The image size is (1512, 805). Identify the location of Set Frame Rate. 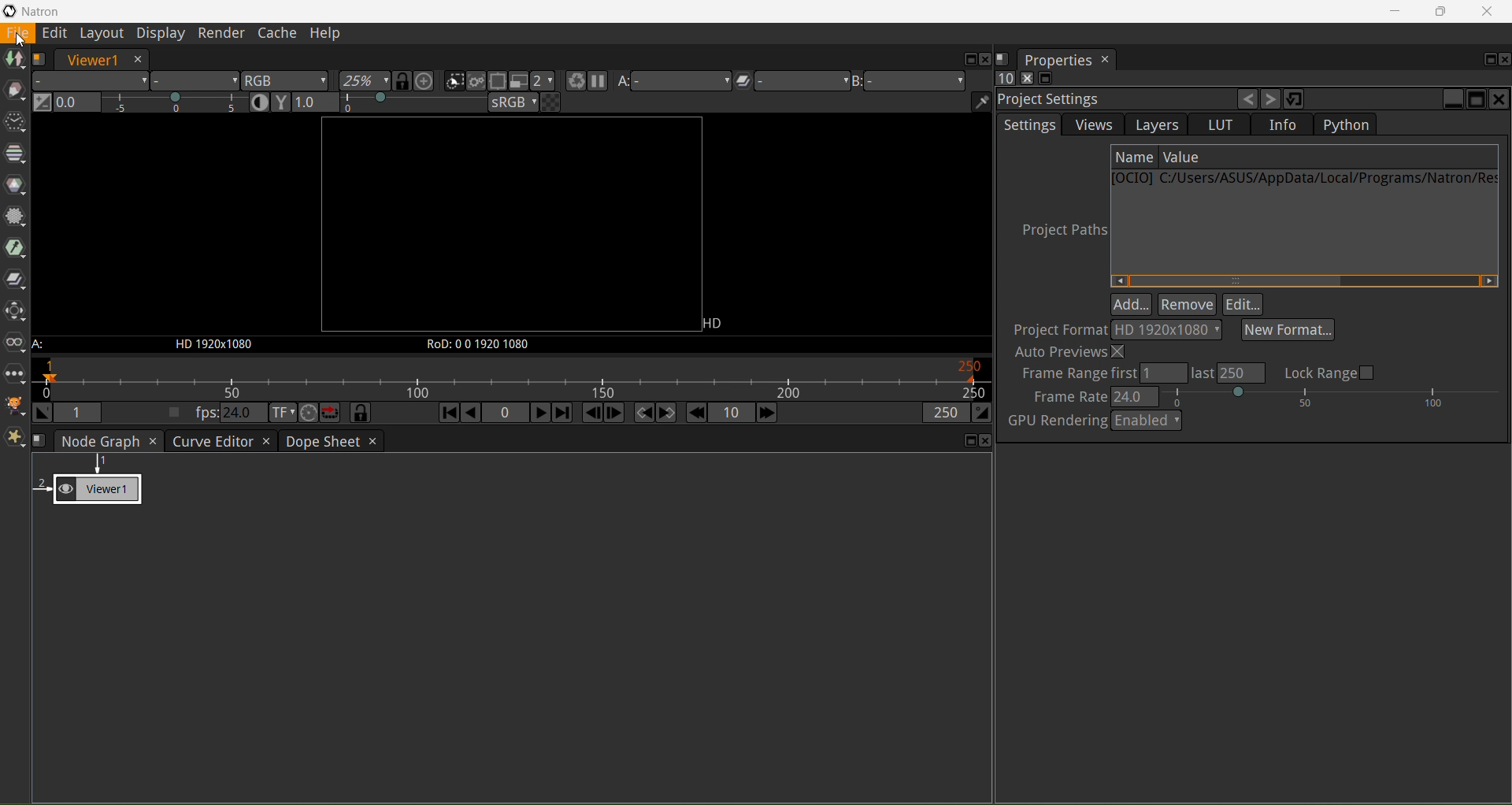
(1264, 398).